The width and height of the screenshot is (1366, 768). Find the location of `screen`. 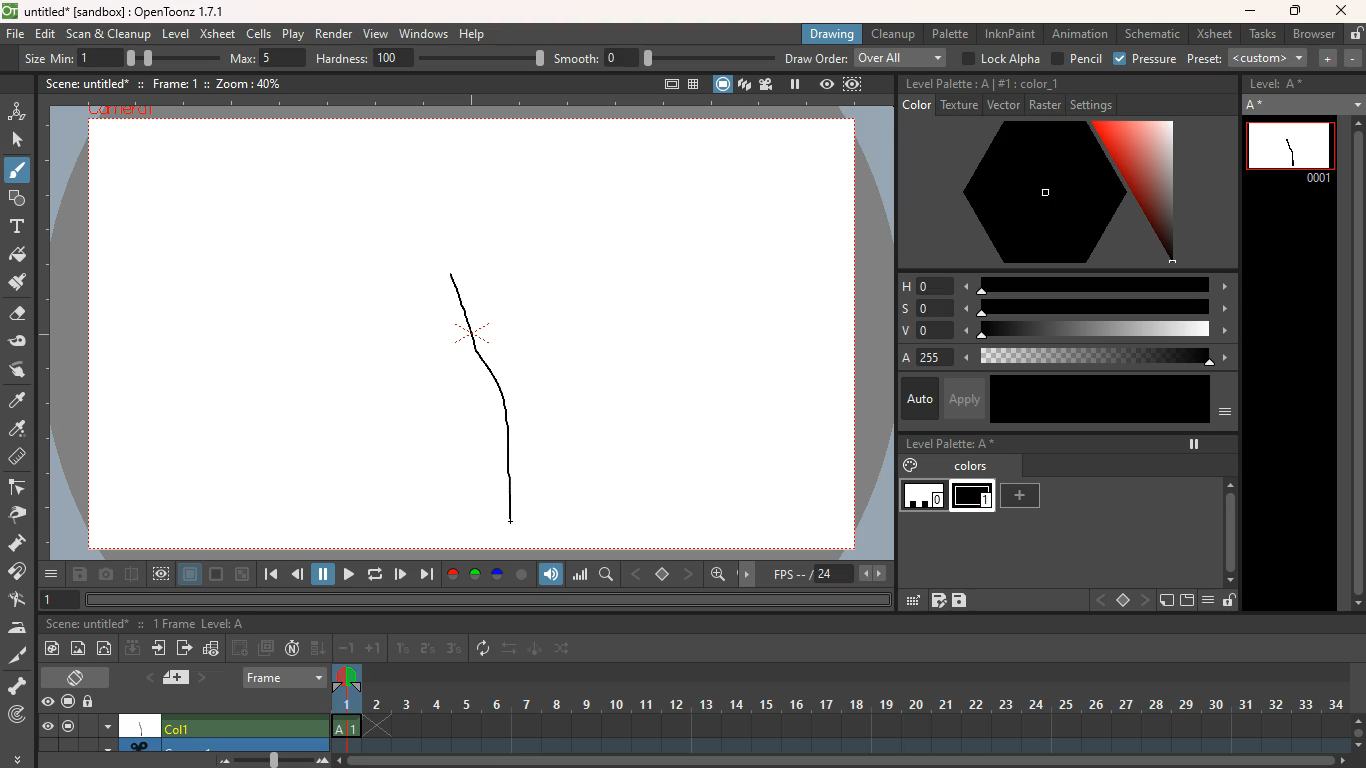

screen is located at coordinates (217, 575).